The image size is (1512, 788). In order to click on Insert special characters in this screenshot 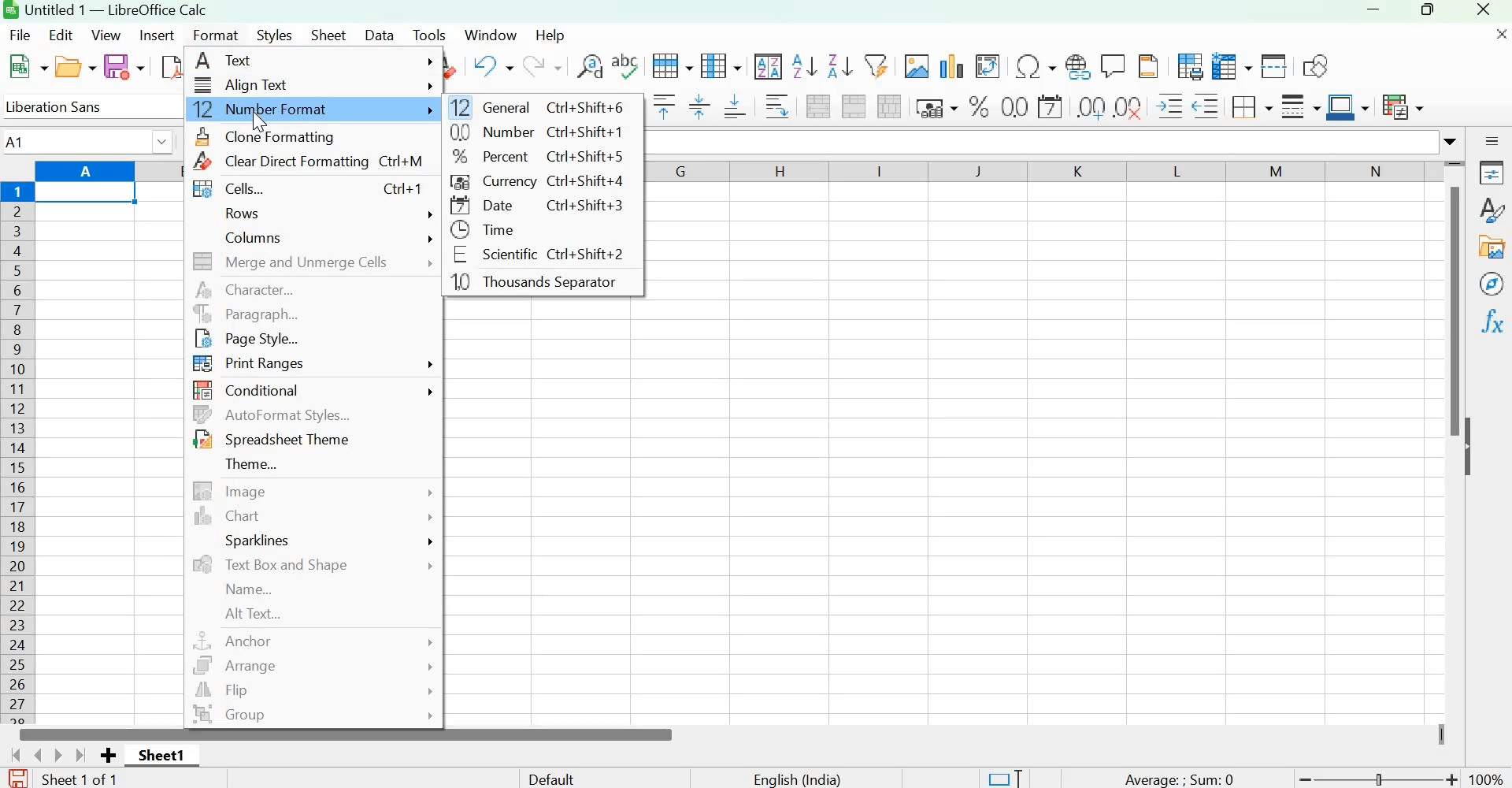, I will do `click(1034, 64)`.